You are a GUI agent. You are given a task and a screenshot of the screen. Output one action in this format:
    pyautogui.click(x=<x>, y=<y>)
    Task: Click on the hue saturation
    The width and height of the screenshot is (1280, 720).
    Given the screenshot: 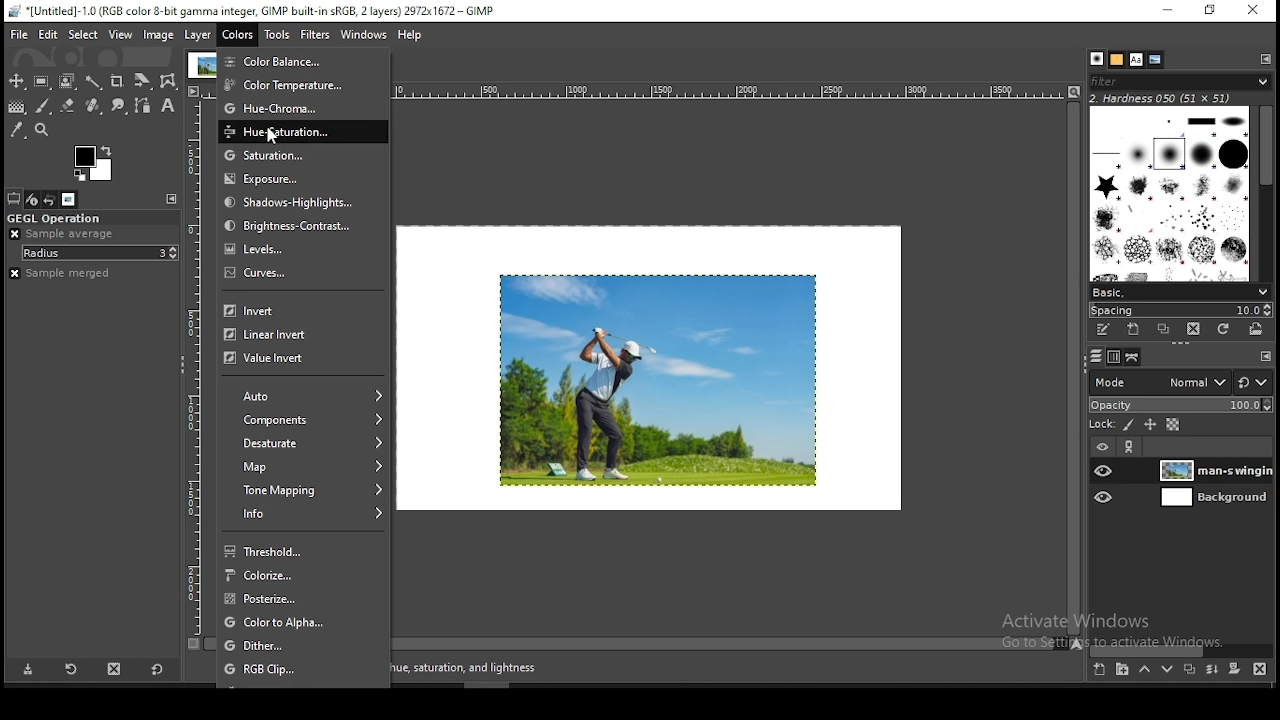 What is the action you would take?
    pyautogui.click(x=304, y=131)
    